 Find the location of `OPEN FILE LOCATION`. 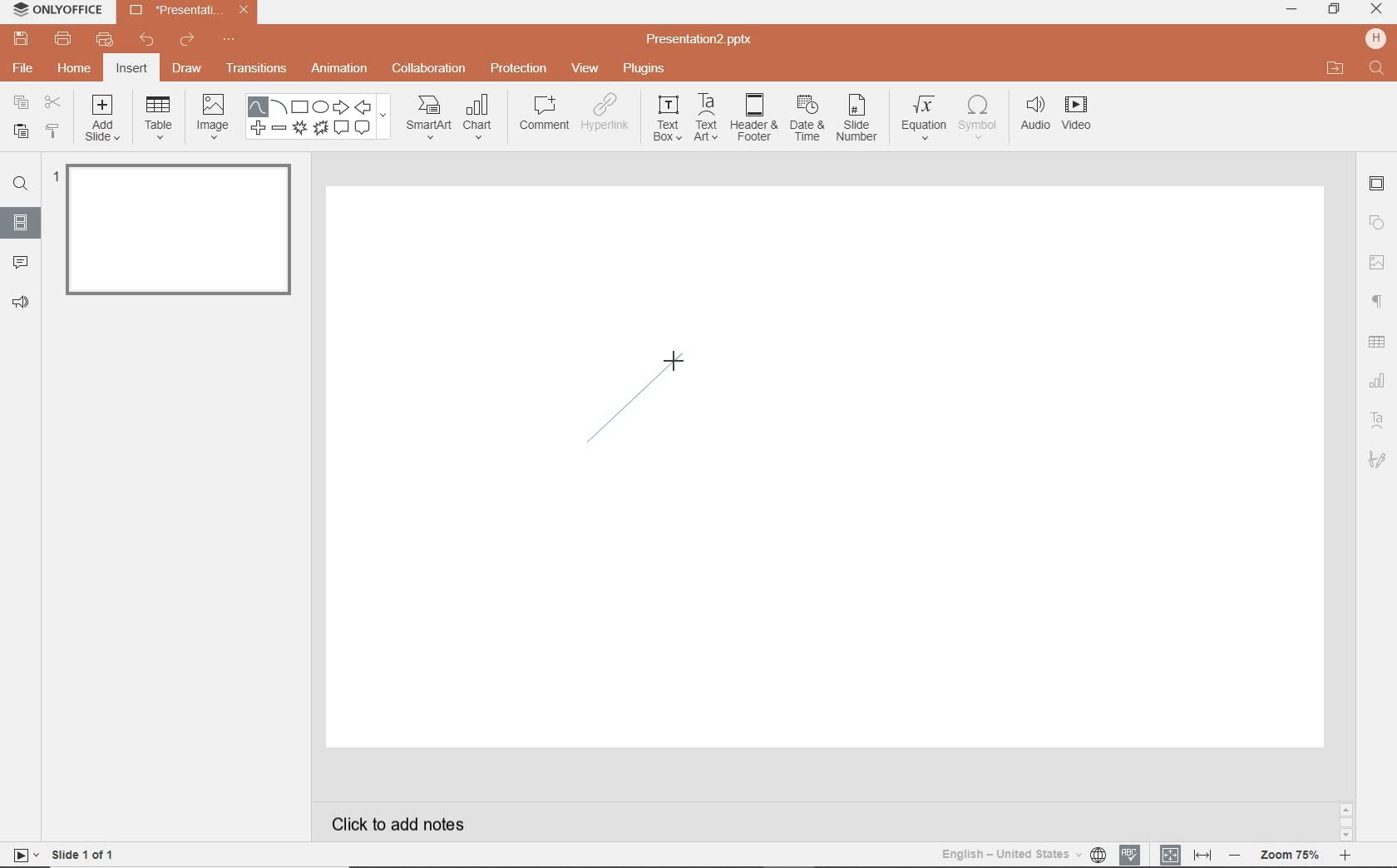

OPEN FILE LOCATION is located at coordinates (1335, 69).